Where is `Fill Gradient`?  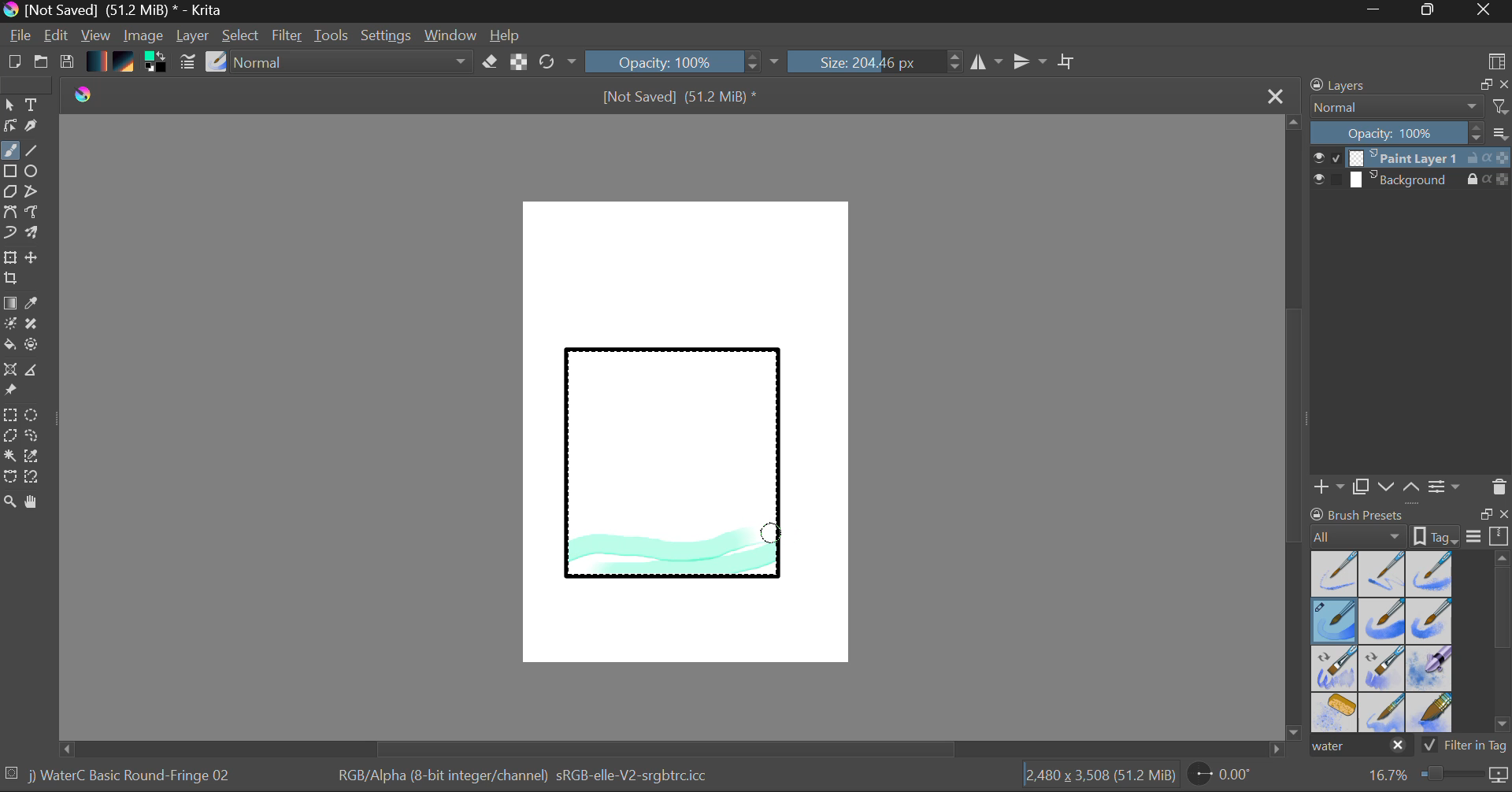 Fill Gradient is located at coordinates (10, 302).